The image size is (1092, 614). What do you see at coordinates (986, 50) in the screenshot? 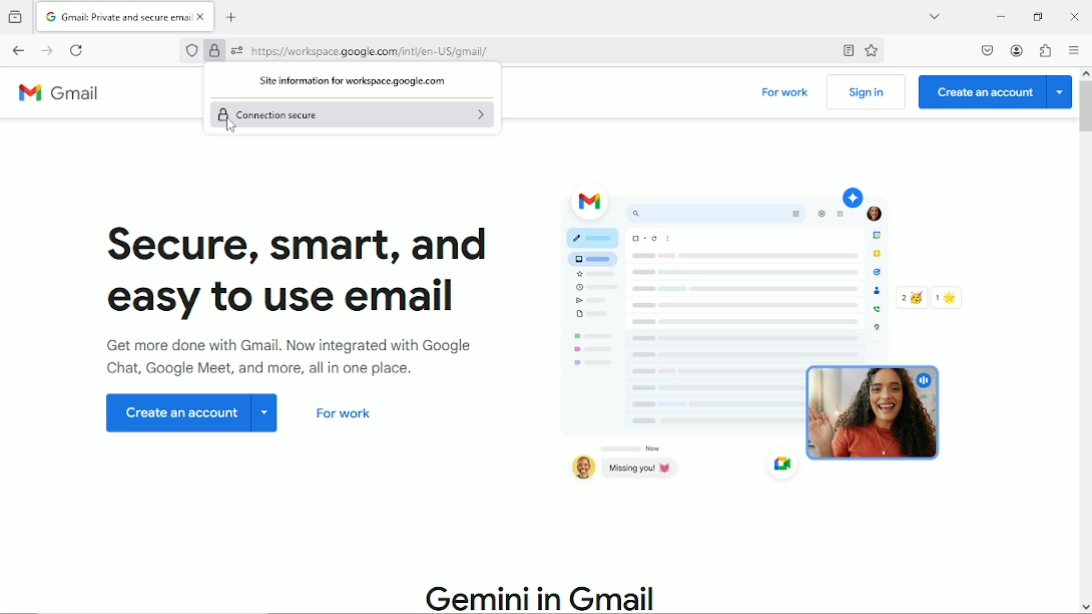
I see `Save to pocket` at bounding box center [986, 50].